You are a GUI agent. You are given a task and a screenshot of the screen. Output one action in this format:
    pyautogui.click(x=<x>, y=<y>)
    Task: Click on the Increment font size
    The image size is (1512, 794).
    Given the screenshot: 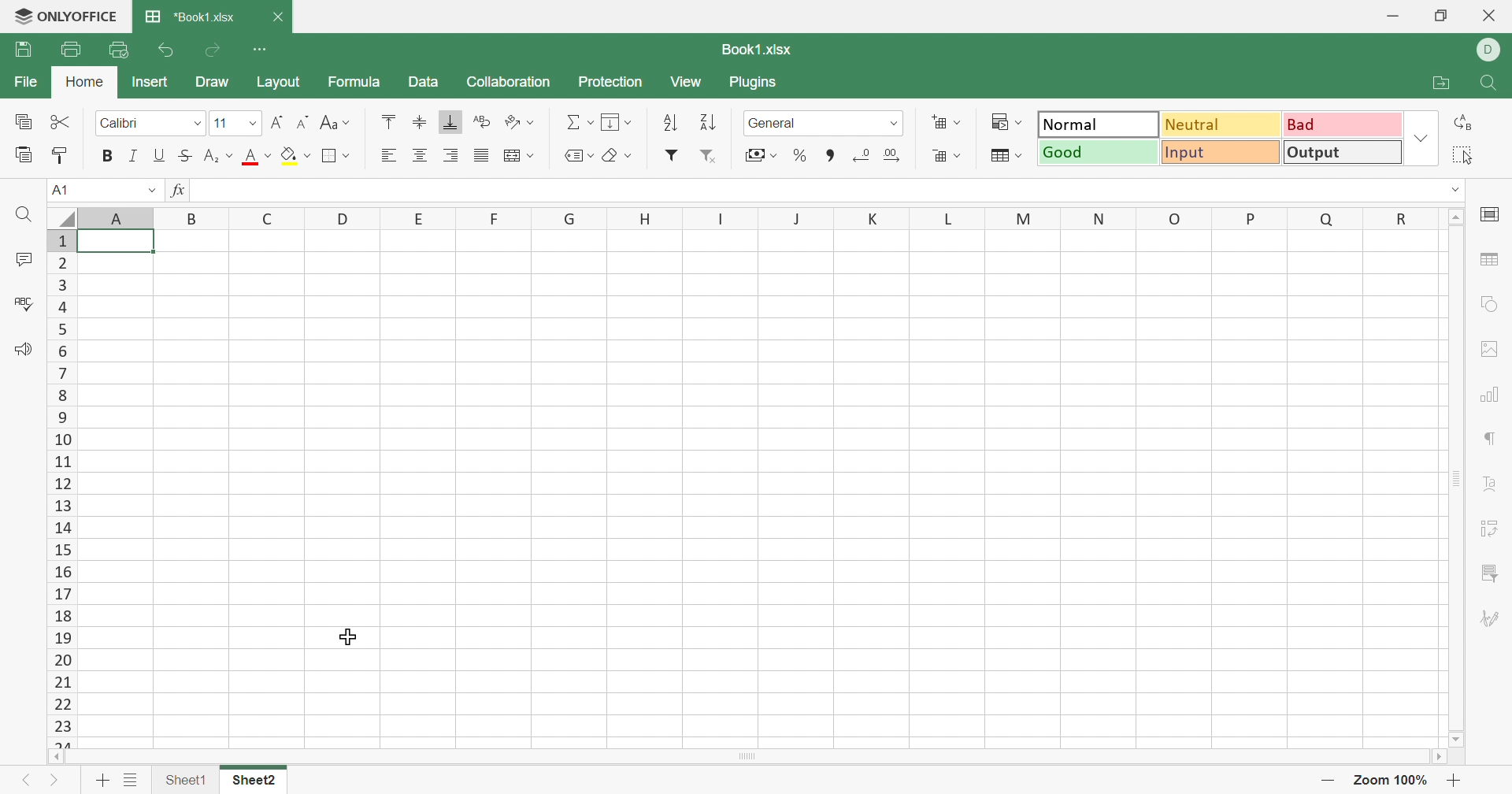 What is the action you would take?
    pyautogui.click(x=276, y=121)
    